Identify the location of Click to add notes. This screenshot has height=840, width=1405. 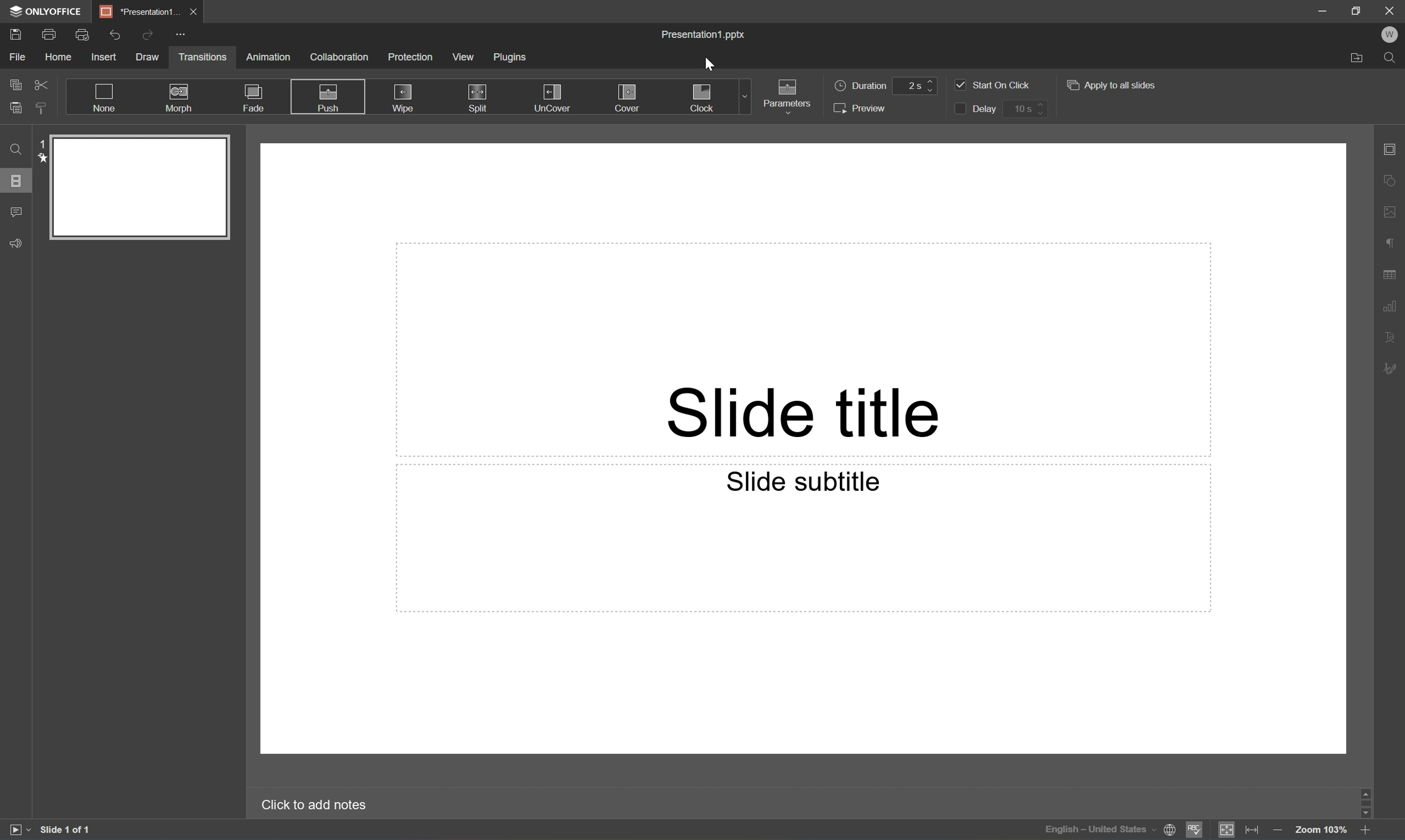
(313, 805).